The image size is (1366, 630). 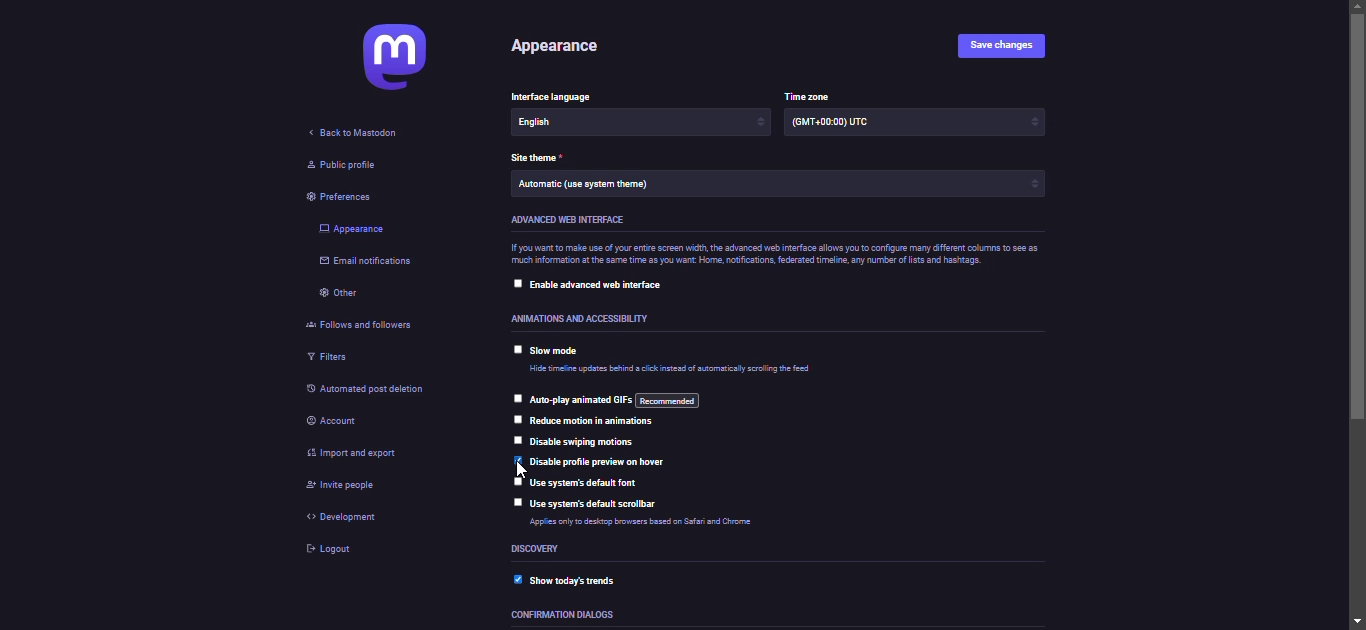 What do you see at coordinates (341, 166) in the screenshot?
I see `public profile` at bounding box center [341, 166].